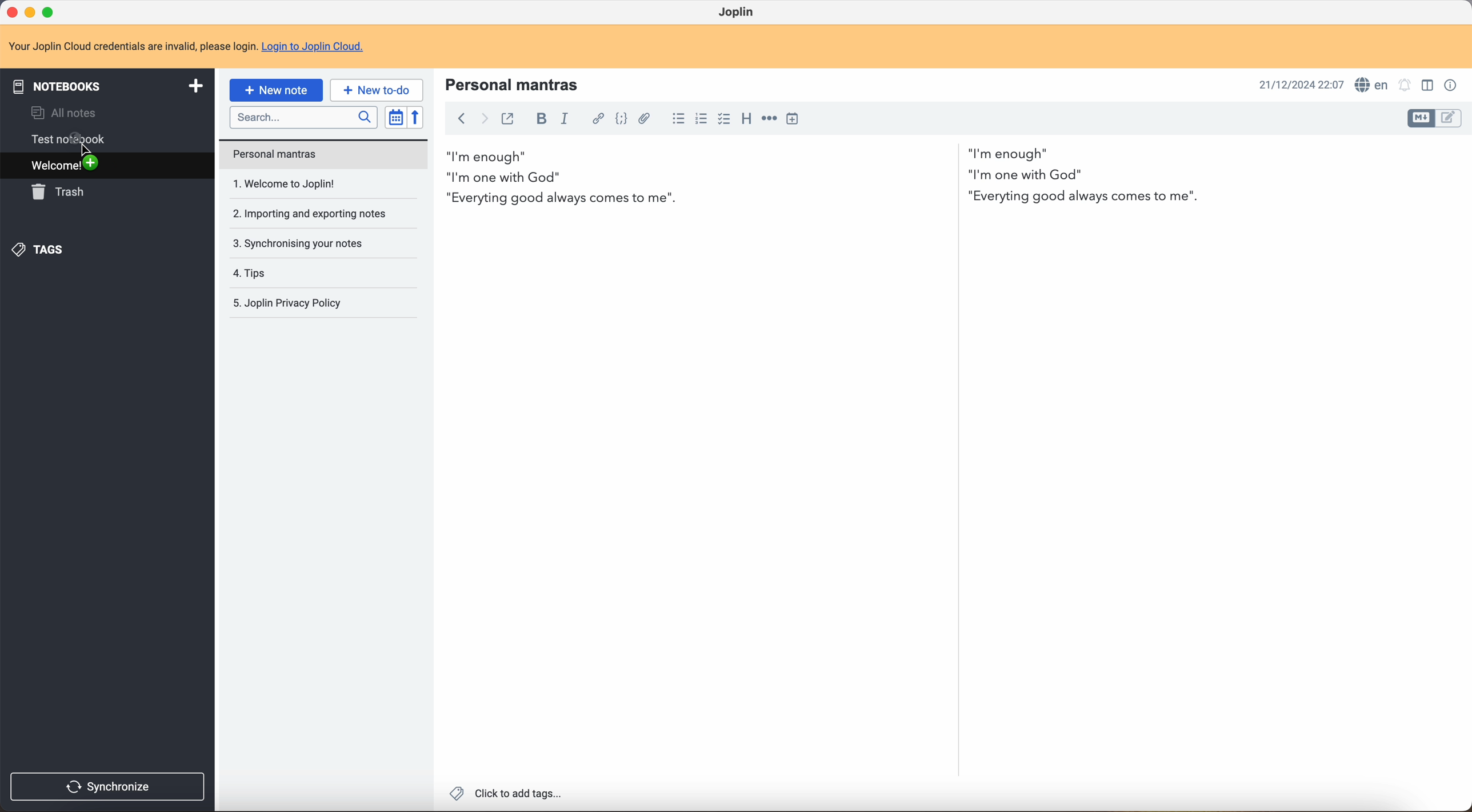  I want to click on note properties, so click(1455, 85).